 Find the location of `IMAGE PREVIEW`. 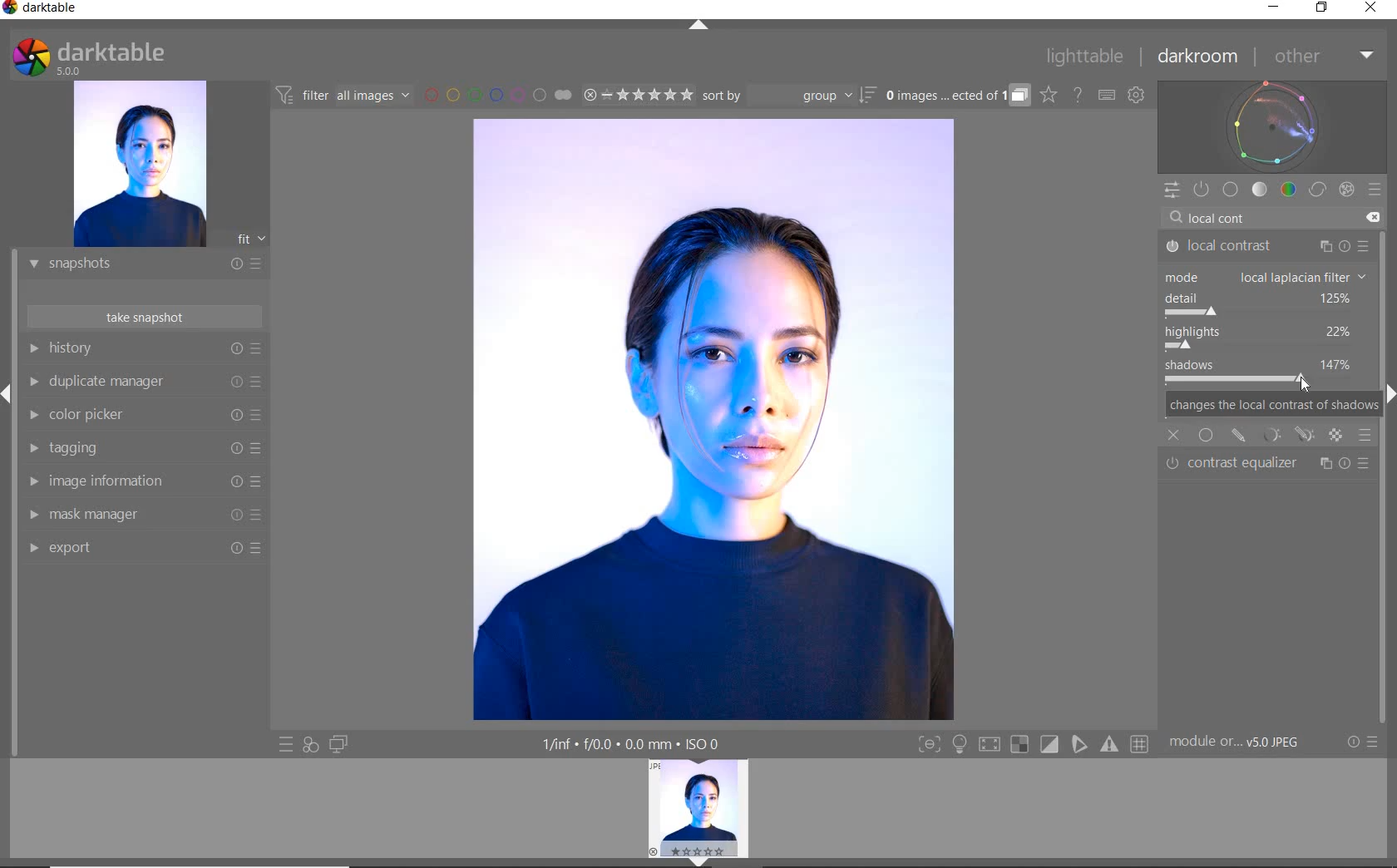

IMAGE PREVIEW is located at coordinates (139, 165).